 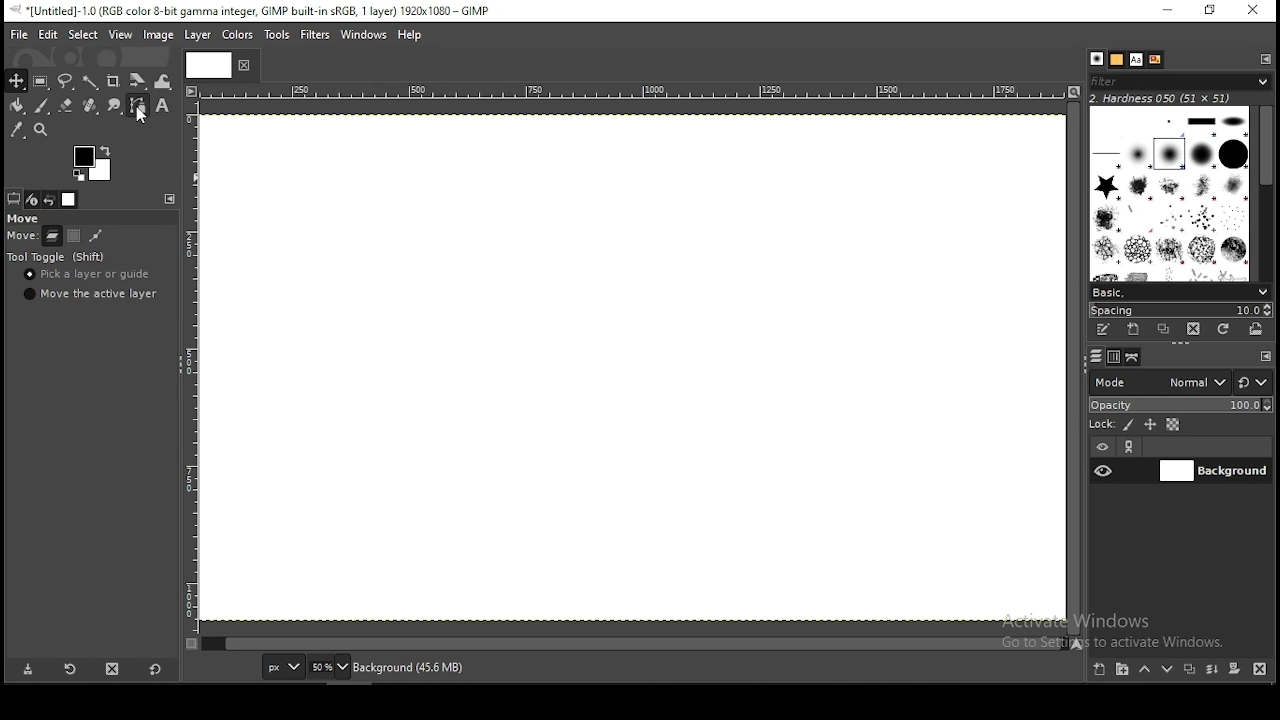 I want to click on view, so click(x=121, y=33).